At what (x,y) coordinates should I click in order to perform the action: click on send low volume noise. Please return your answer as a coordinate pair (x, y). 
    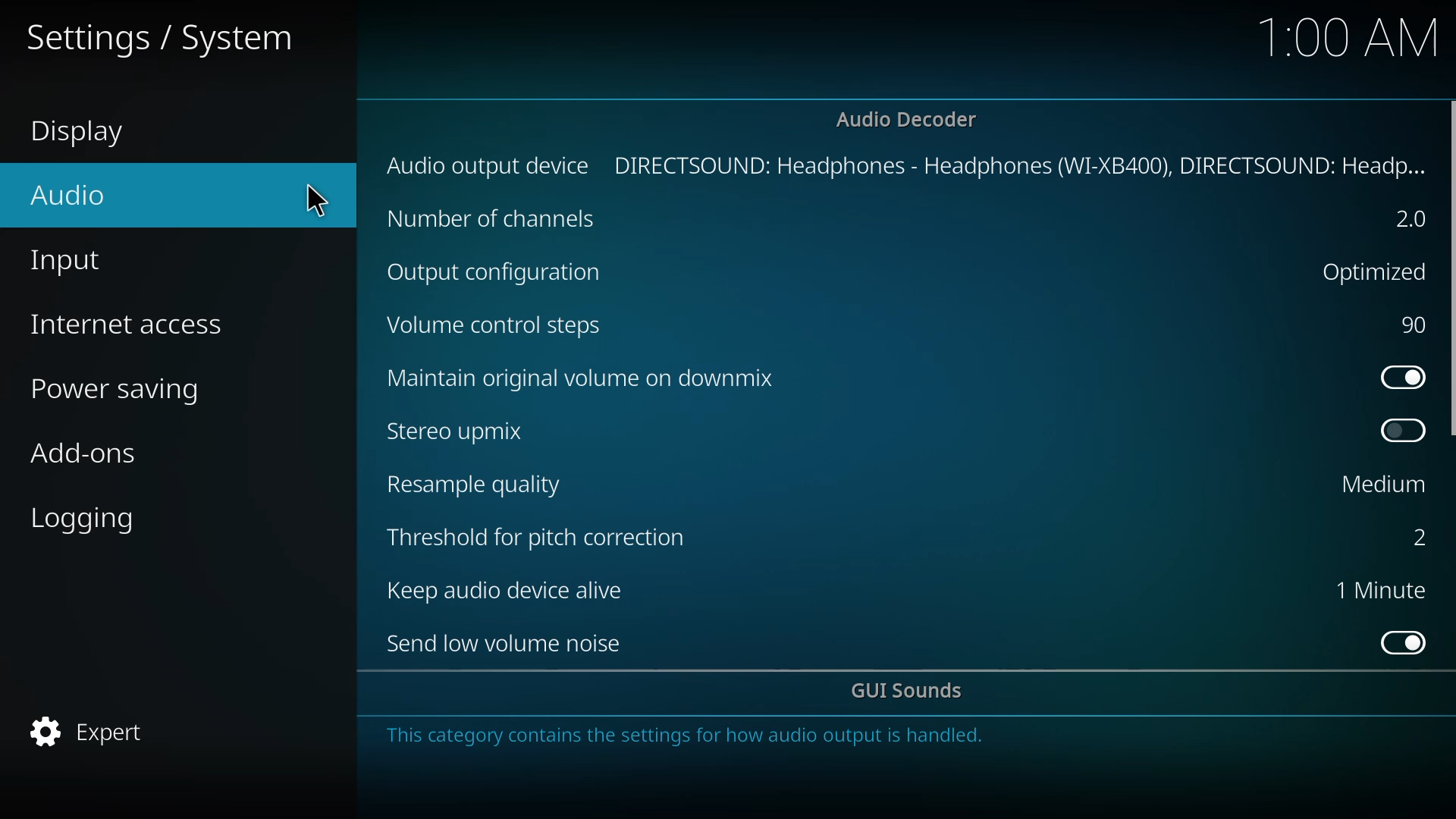
    Looking at the image, I should click on (506, 641).